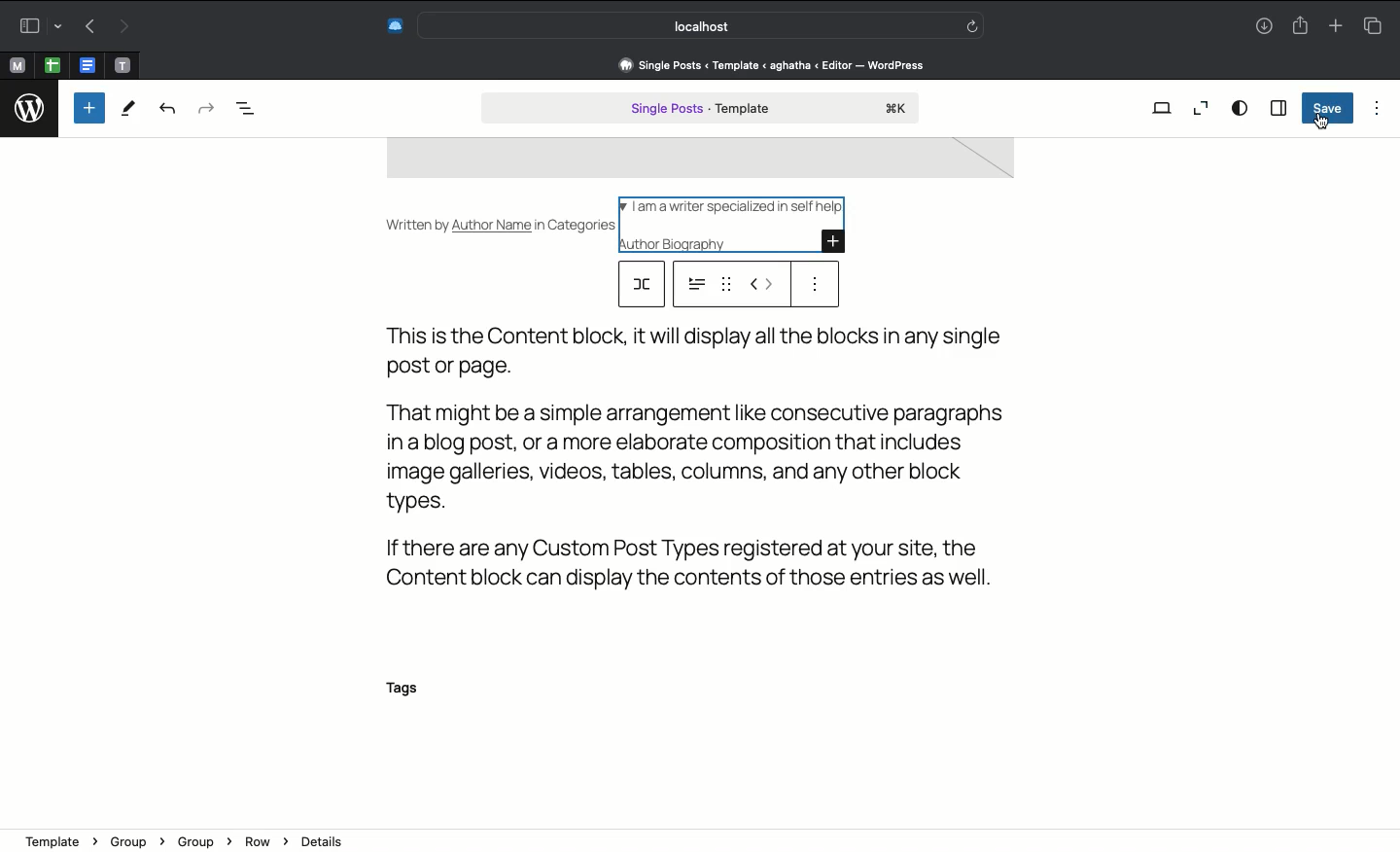  What do you see at coordinates (1261, 27) in the screenshot?
I see `Download` at bounding box center [1261, 27].